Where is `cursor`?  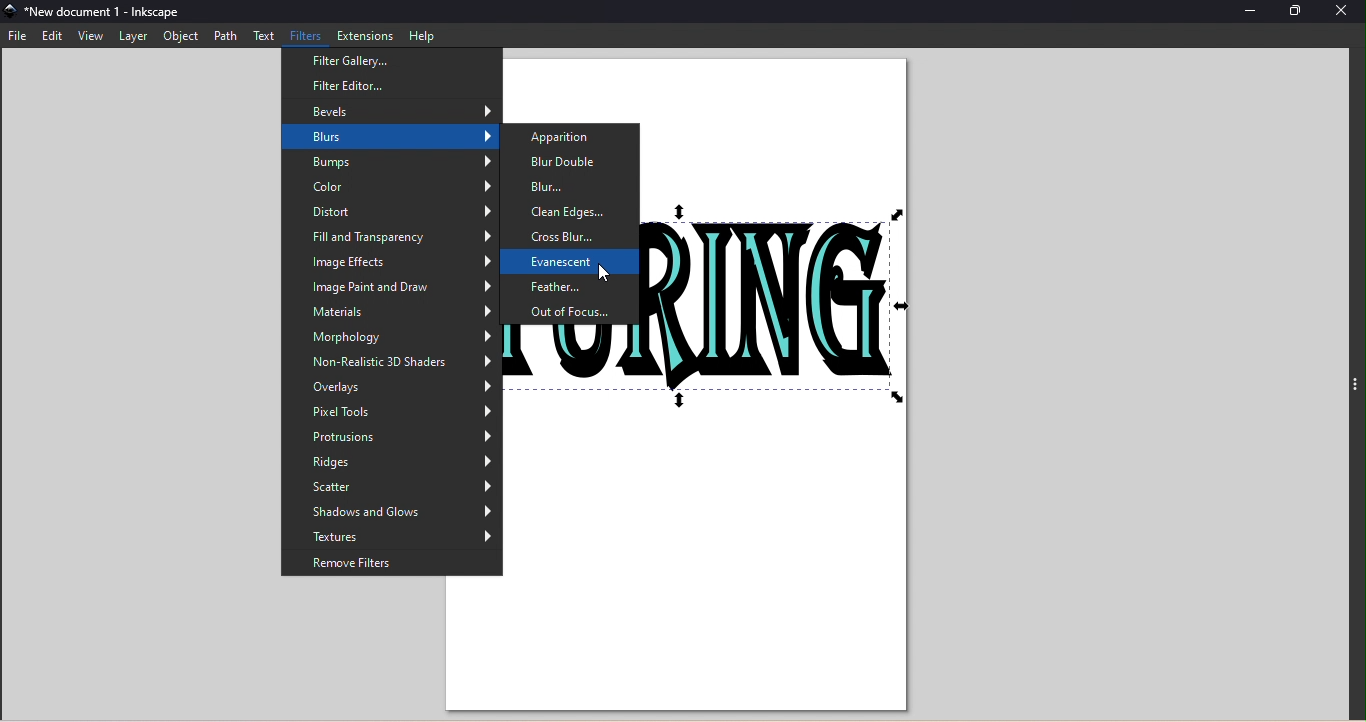 cursor is located at coordinates (605, 275).